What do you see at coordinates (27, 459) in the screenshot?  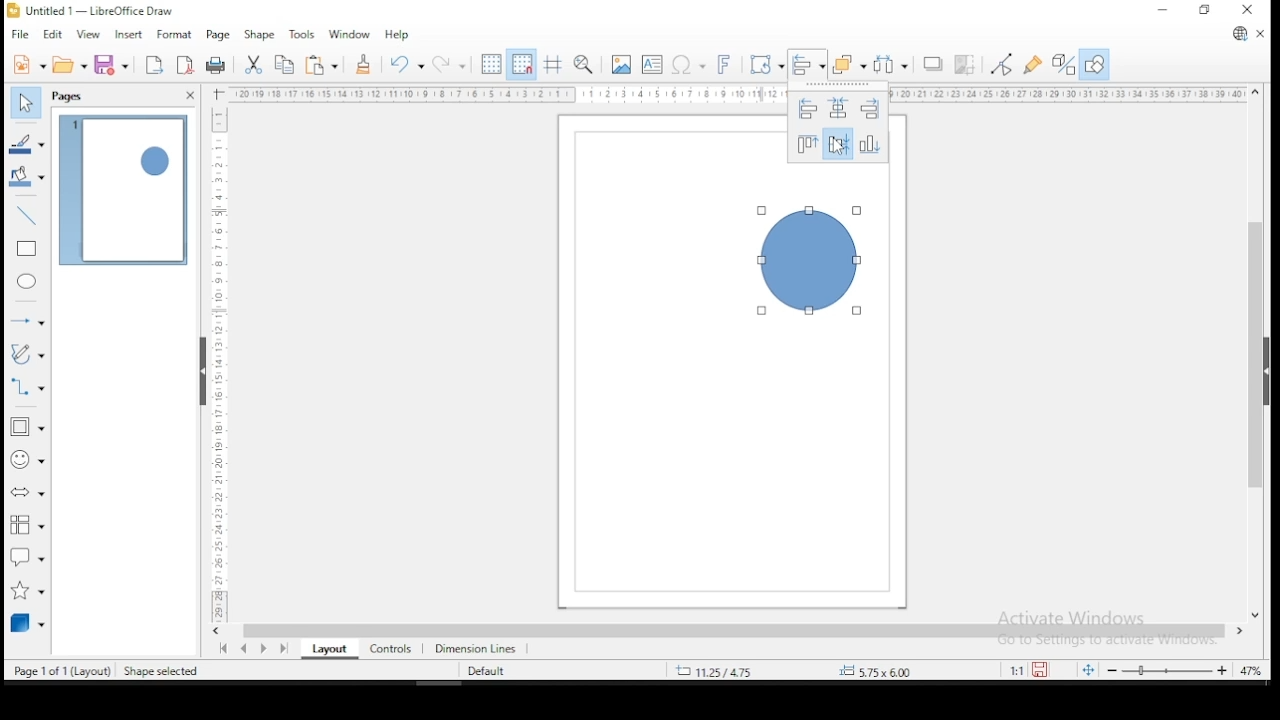 I see `symbol shapes` at bounding box center [27, 459].